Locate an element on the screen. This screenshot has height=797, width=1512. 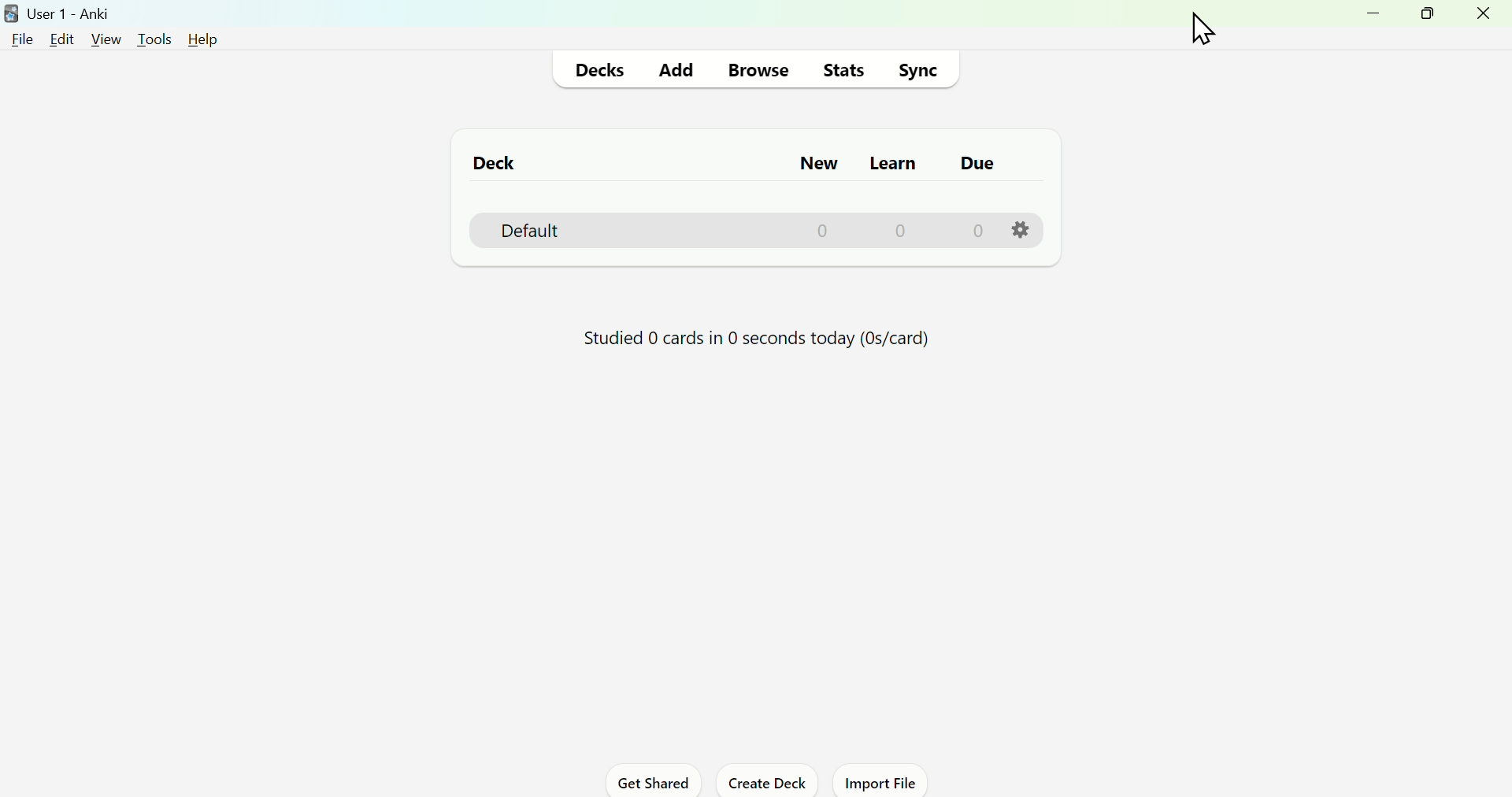
0 is located at coordinates (976, 229).